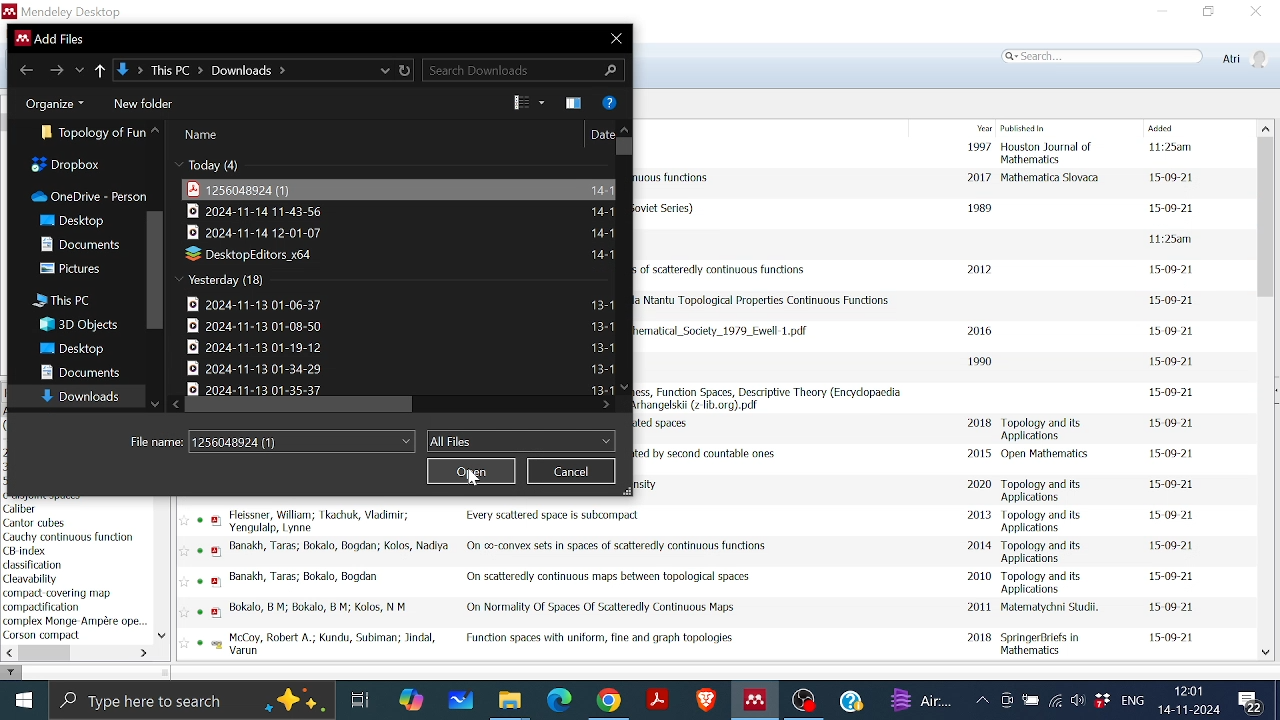 The width and height of the screenshot is (1280, 720). I want to click on Move down in all files, so click(626, 386).